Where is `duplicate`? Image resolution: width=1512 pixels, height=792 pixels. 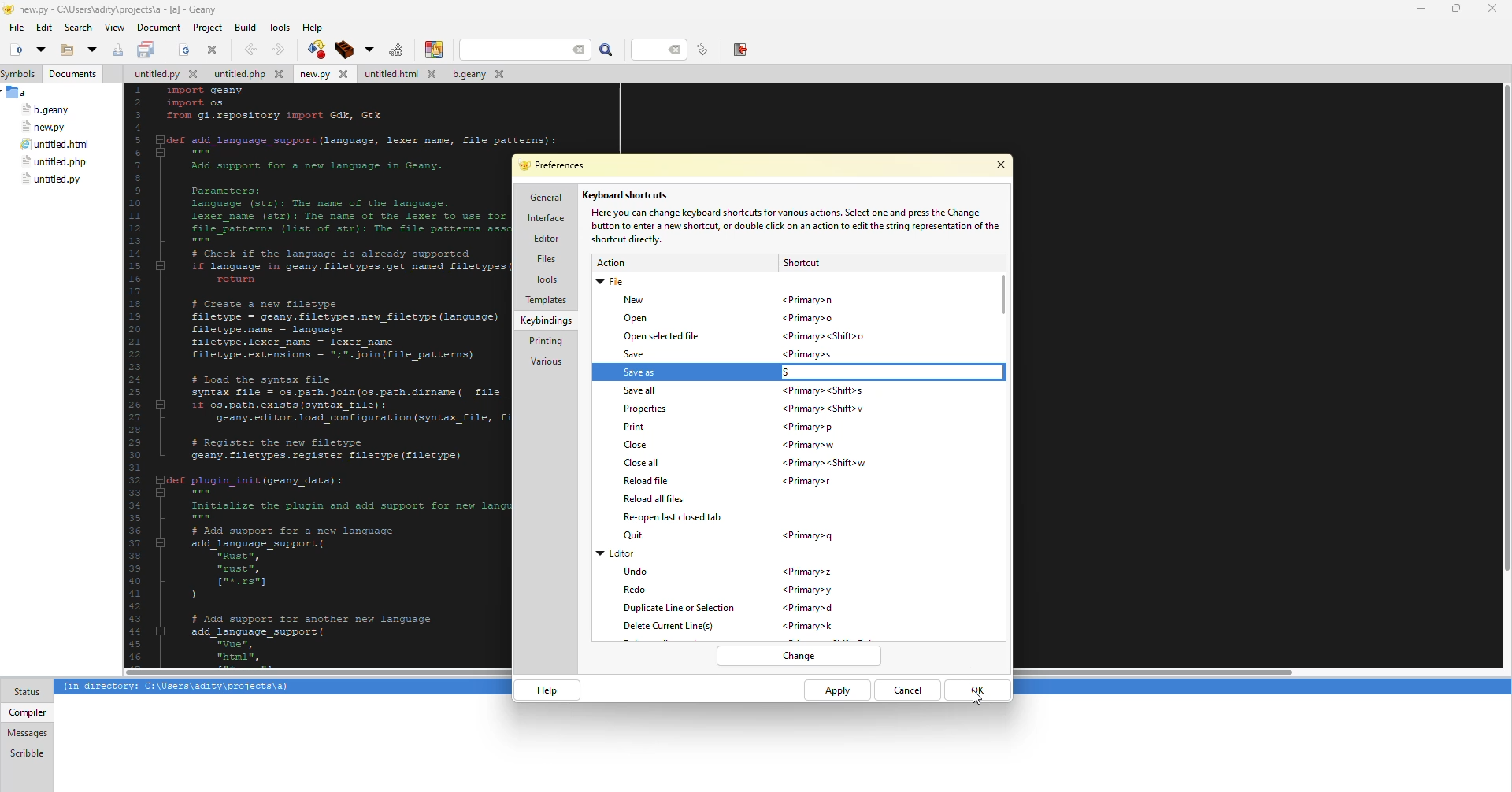
duplicate is located at coordinates (677, 609).